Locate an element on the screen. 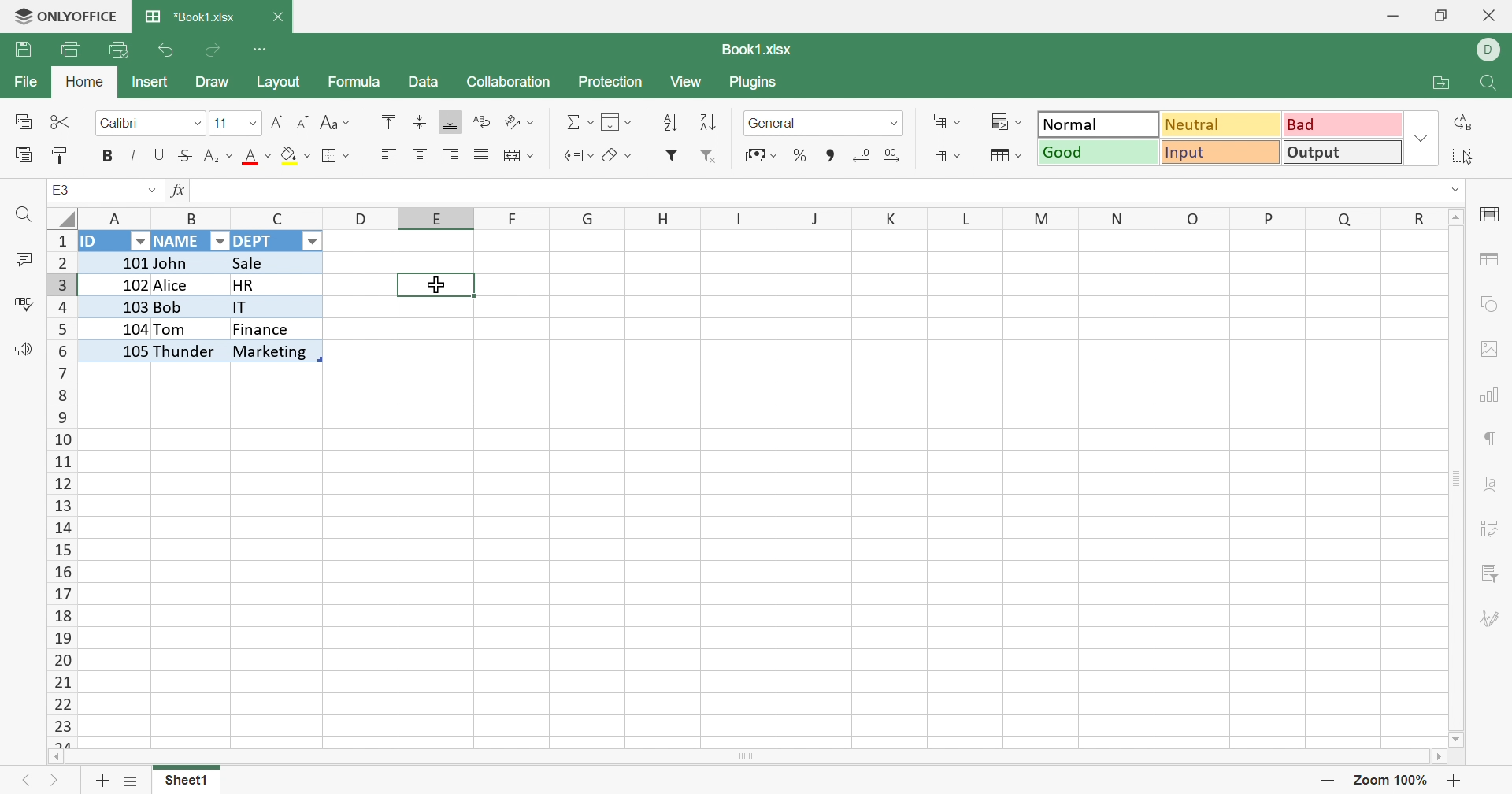 This screenshot has width=1512, height=794. Change case is located at coordinates (333, 123).